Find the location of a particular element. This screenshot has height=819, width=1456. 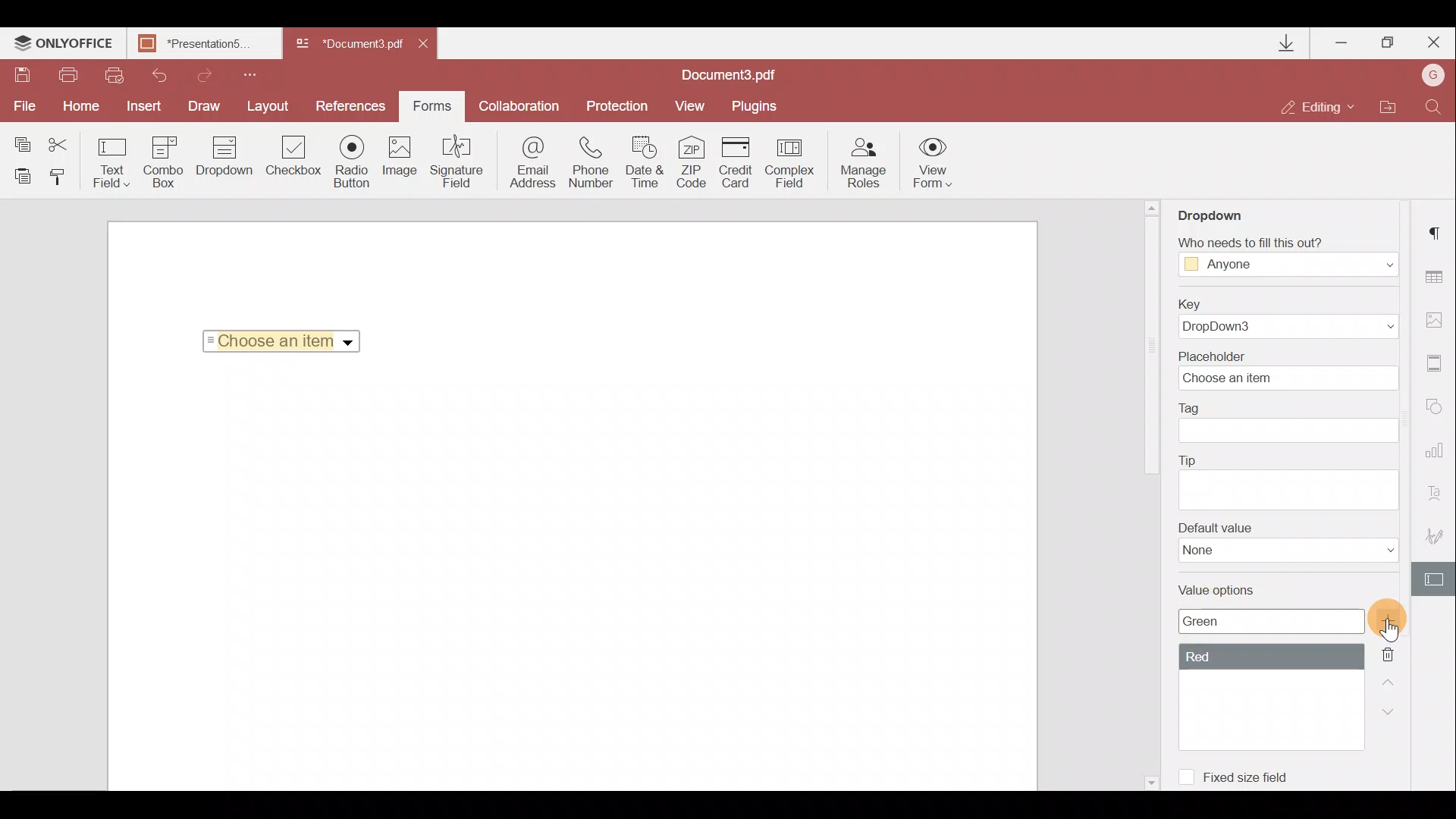

Paragraph settings is located at coordinates (1439, 231).